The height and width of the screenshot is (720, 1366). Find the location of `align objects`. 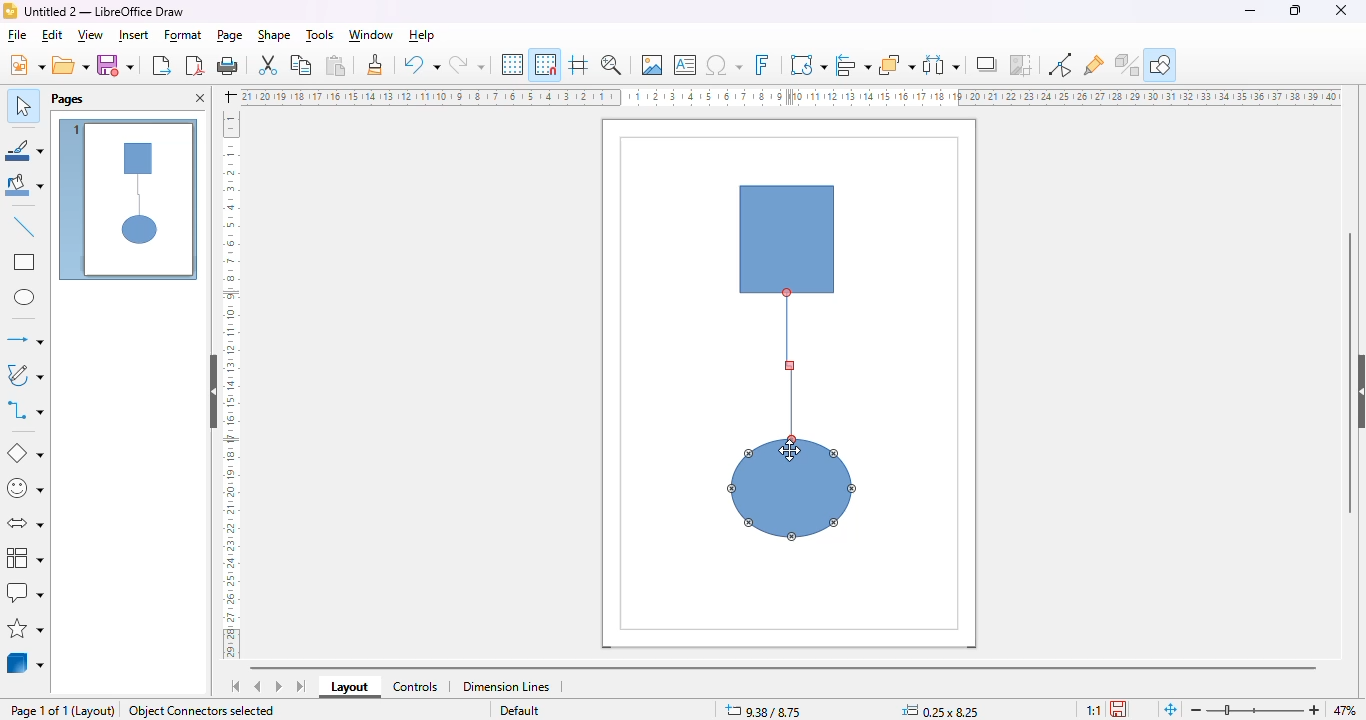

align objects is located at coordinates (855, 65).